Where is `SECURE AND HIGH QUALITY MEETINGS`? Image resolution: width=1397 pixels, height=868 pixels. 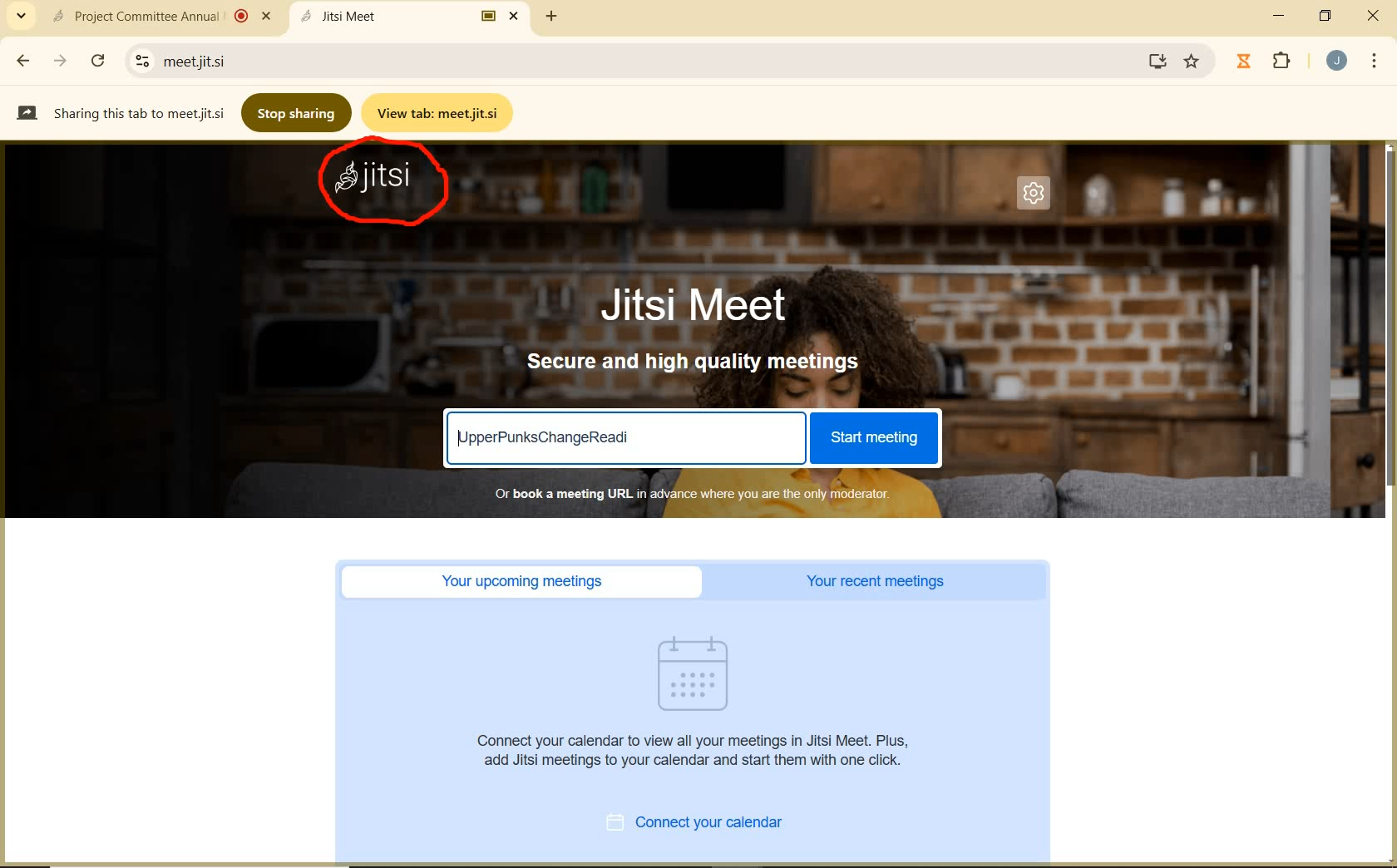 SECURE AND HIGH QUALITY MEETINGS is located at coordinates (695, 362).